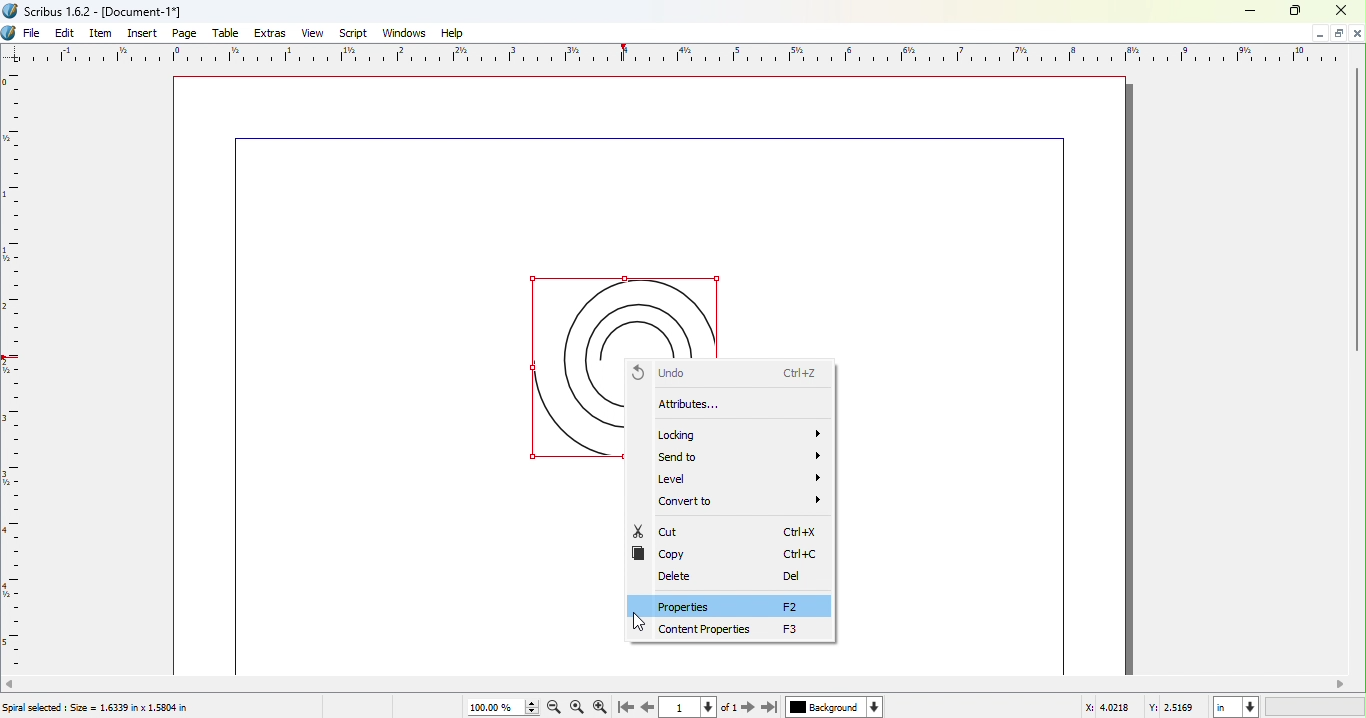 Image resolution: width=1366 pixels, height=718 pixels. Describe the element at coordinates (731, 608) in the screenshot. I see `Properties` at that location.